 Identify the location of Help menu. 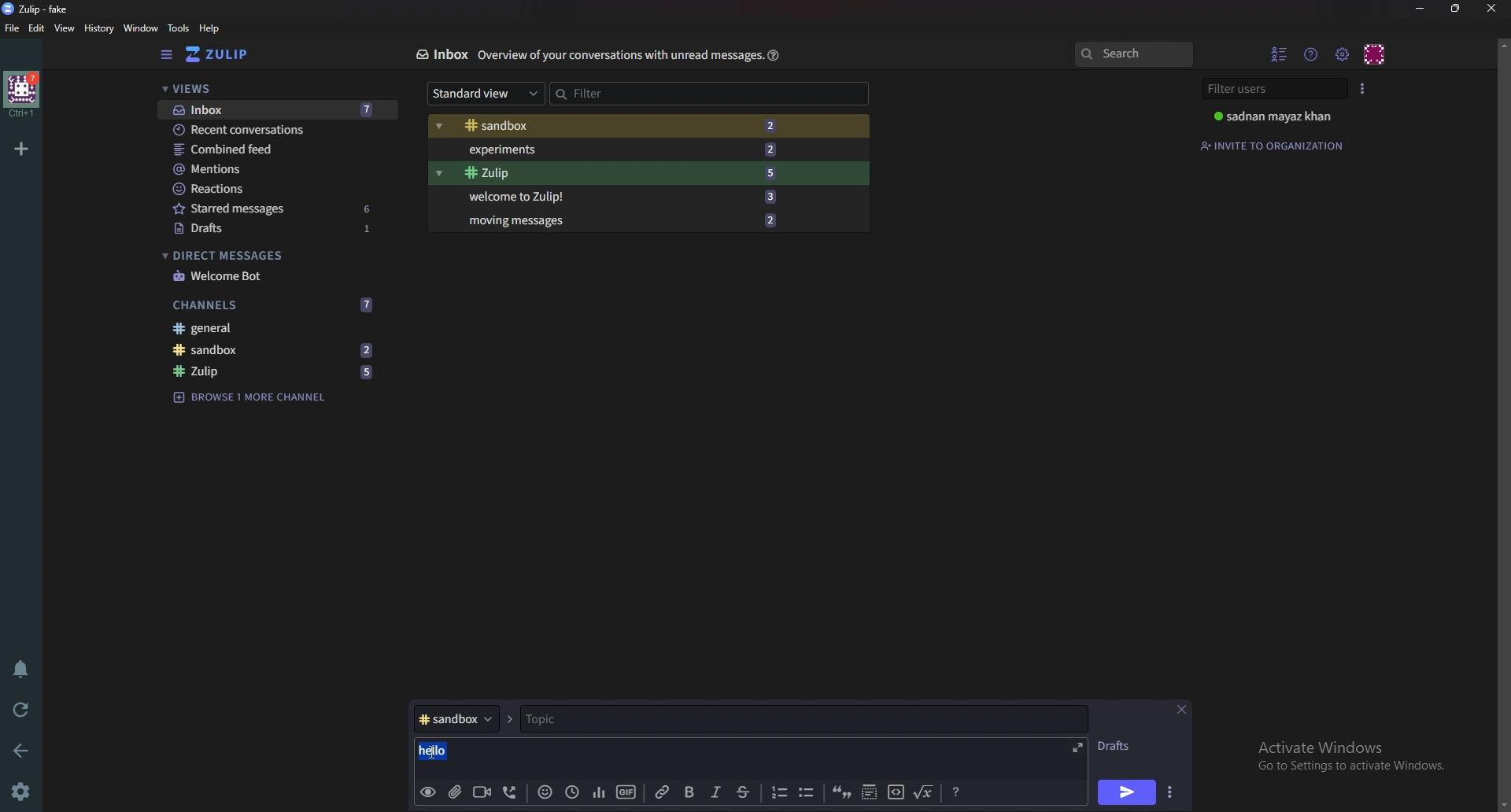
(1311, 54).